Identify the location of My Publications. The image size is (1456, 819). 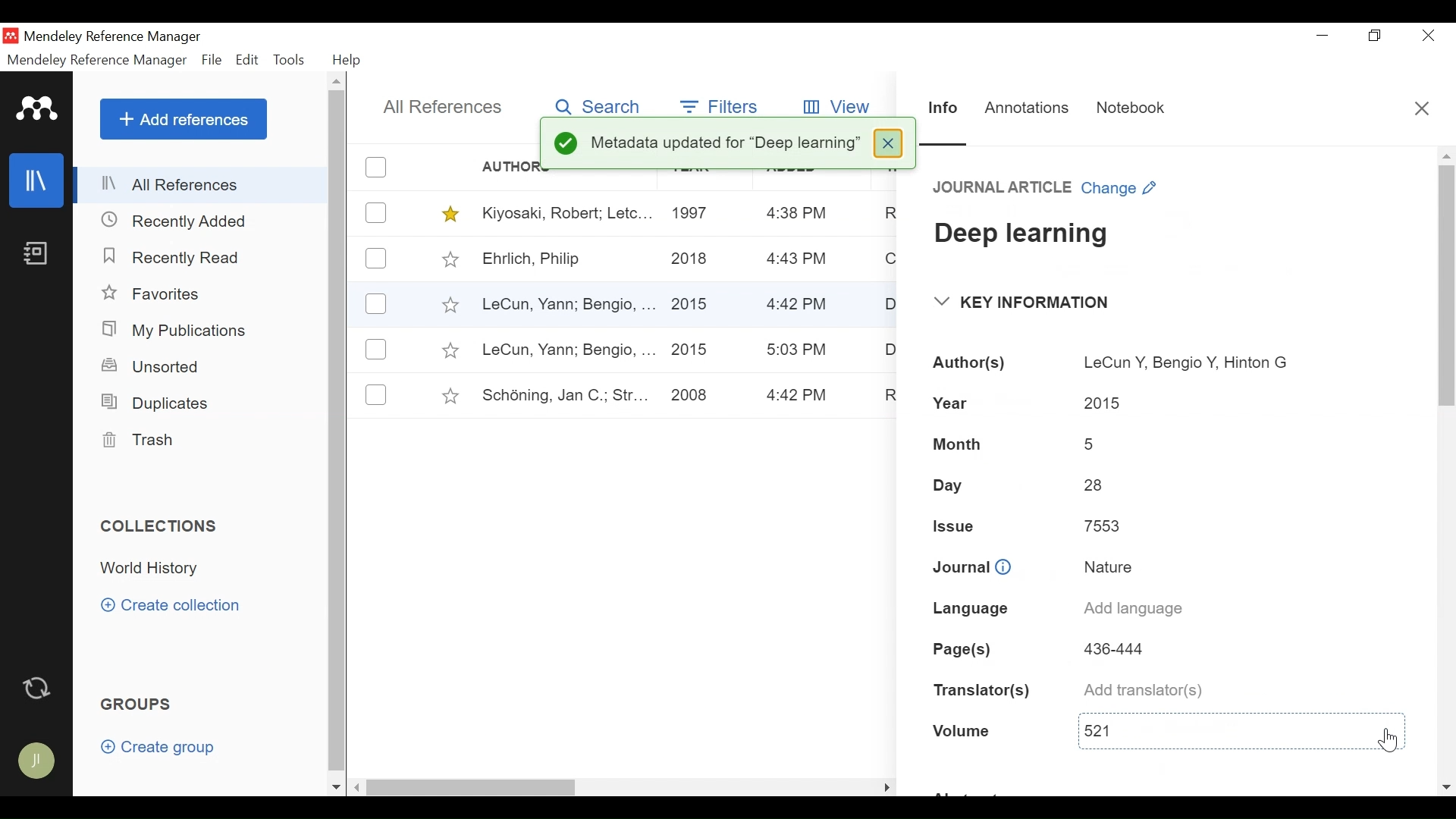
(179, 331).